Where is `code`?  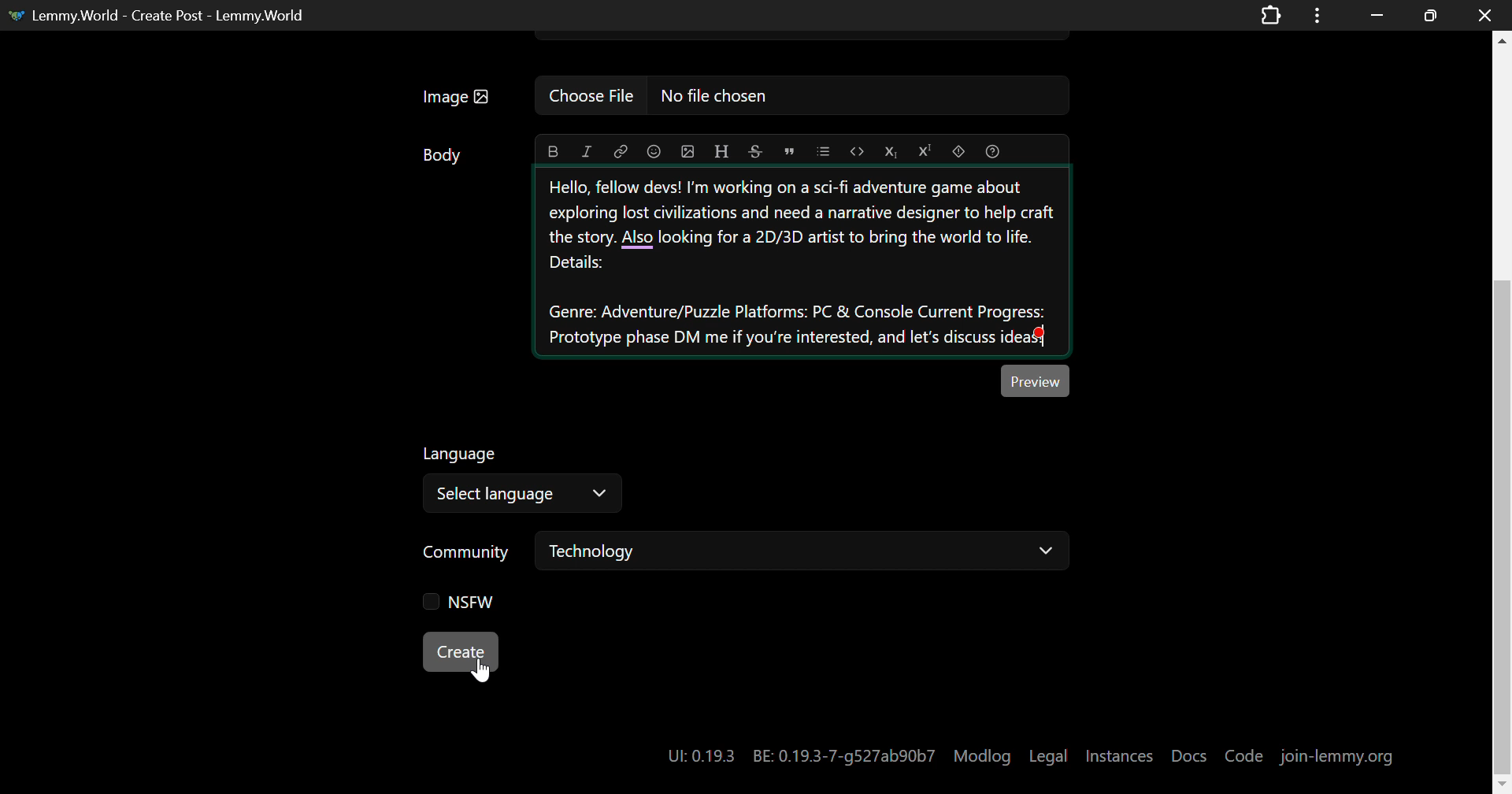 code is located at coordinates (859, 151).